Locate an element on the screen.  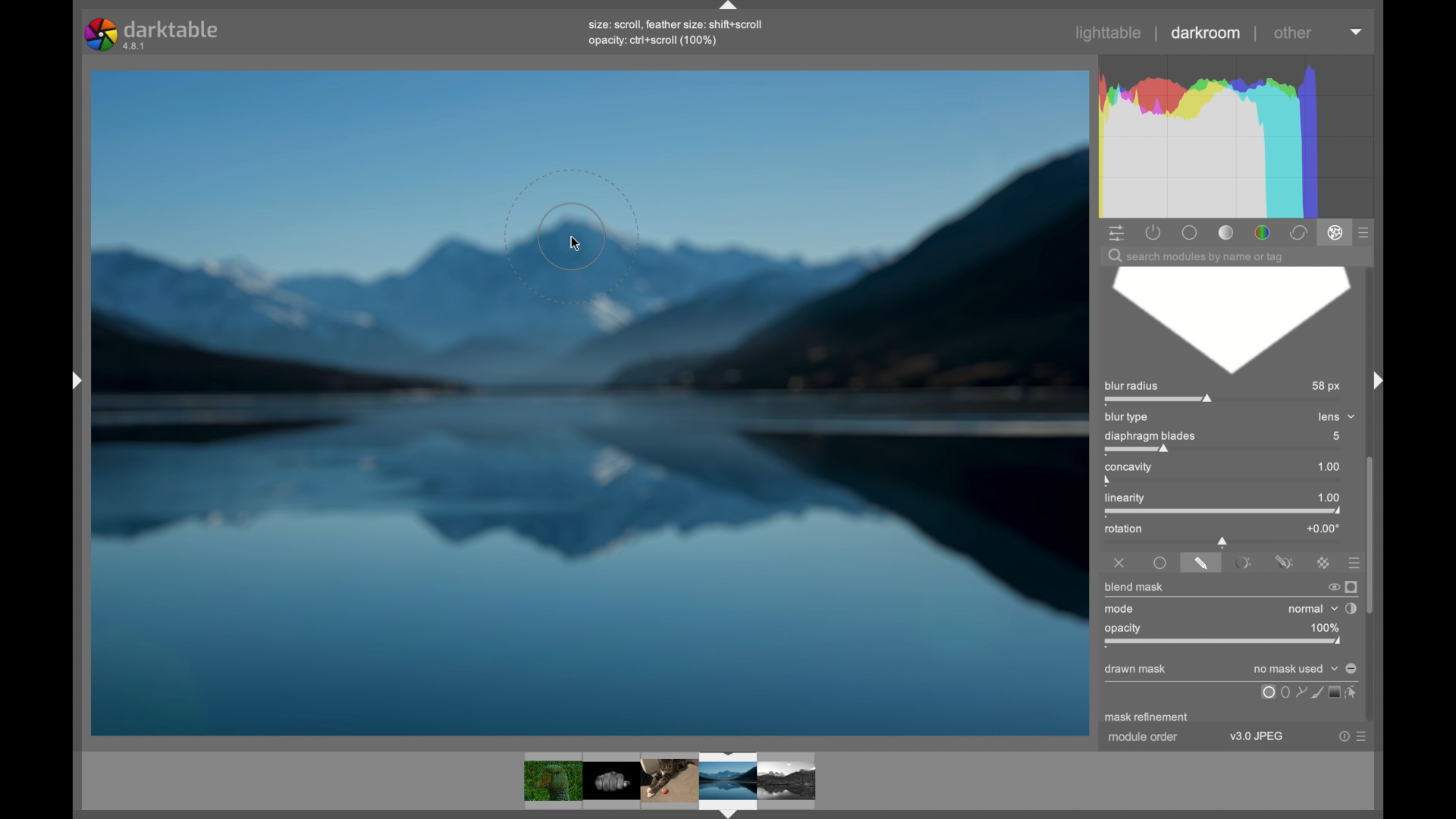
blurred photo is located at coordinates (589, 401).